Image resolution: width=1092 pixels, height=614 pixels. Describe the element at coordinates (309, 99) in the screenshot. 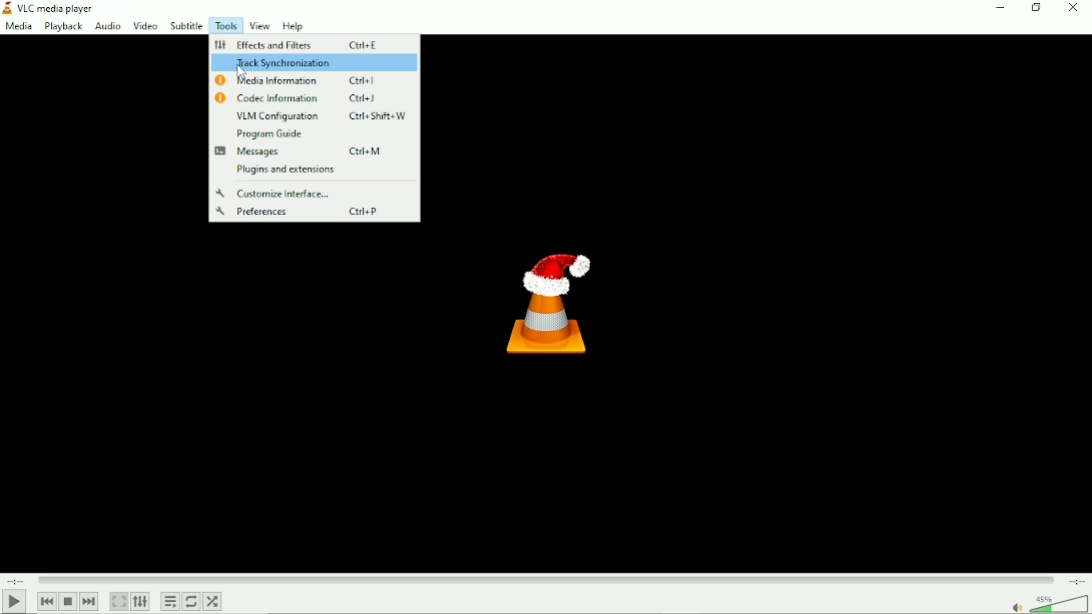

I see `Codec information` at that location.